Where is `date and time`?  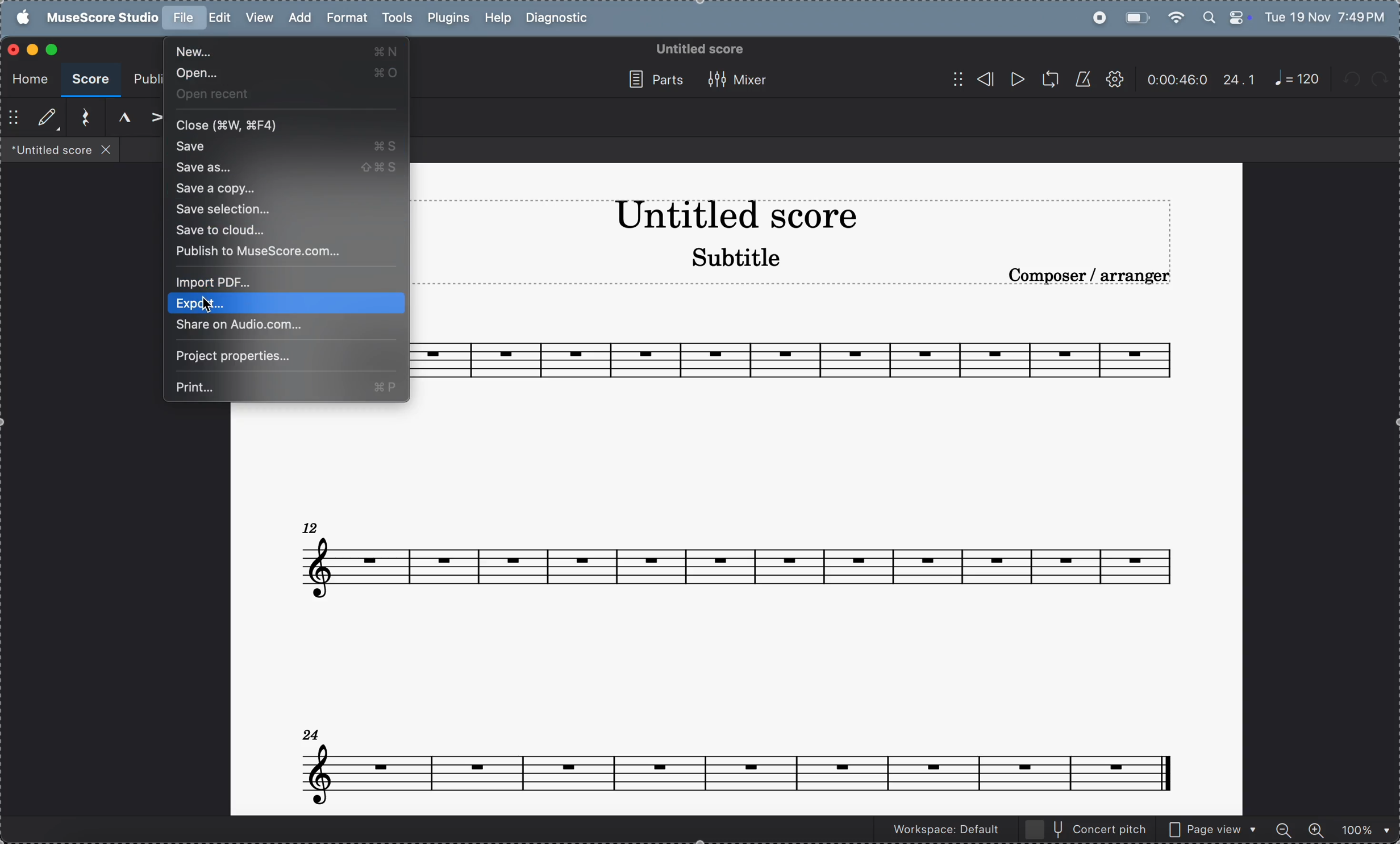
date and time is located at coordinates (1326, 16).